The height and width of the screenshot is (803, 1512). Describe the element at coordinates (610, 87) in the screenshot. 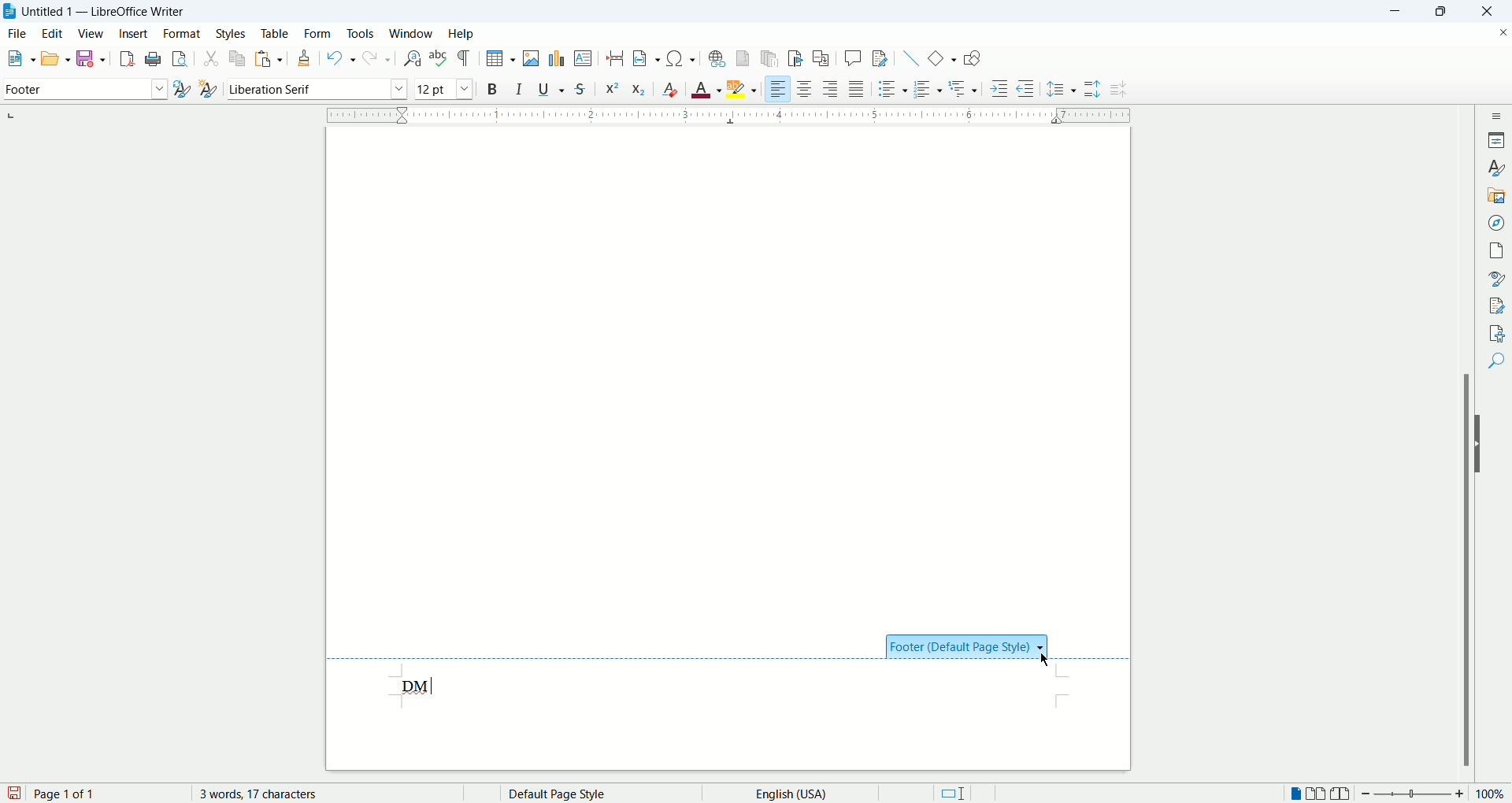

I see `superscript` at that location.